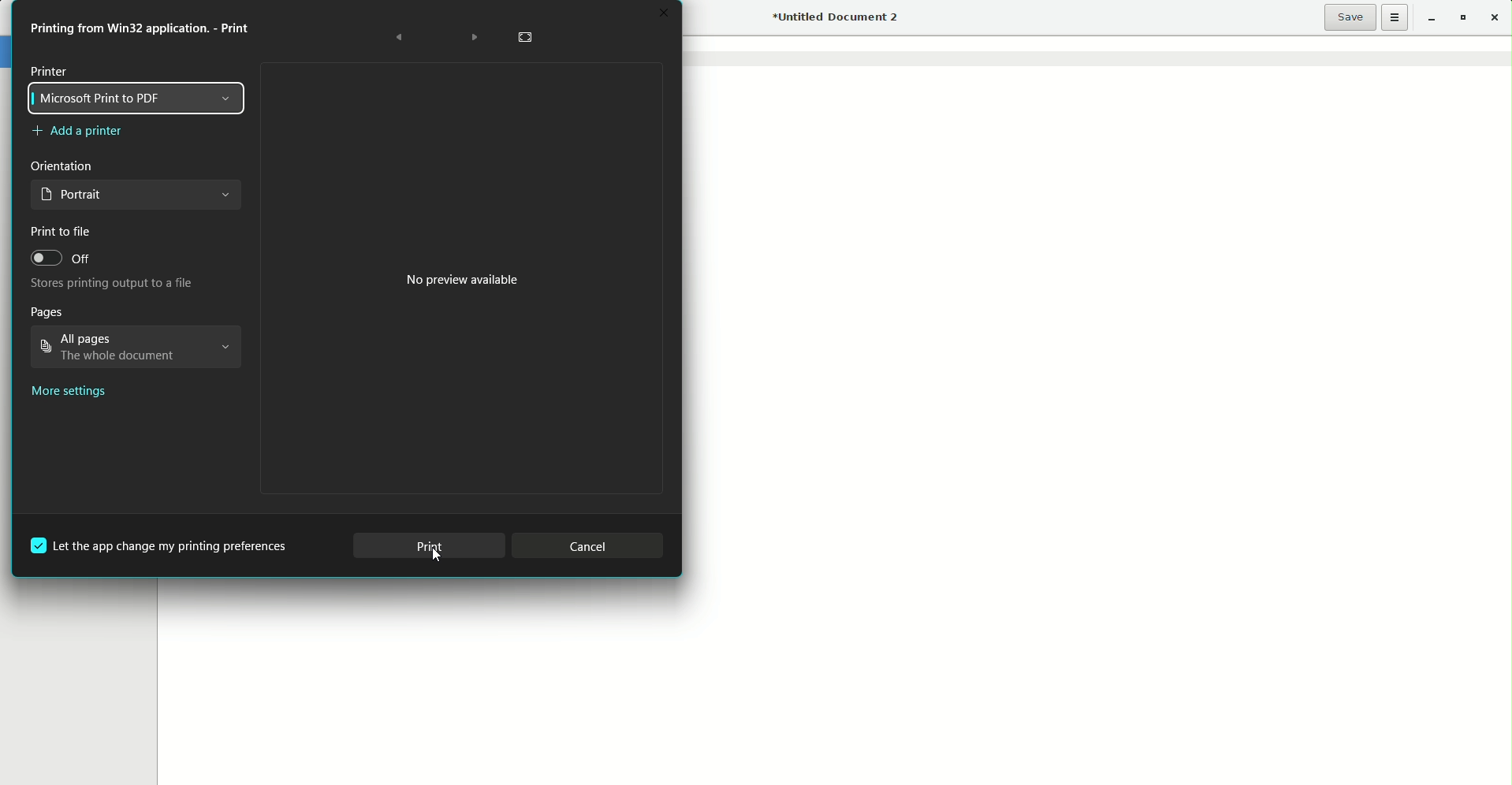 The width and height of the screenshot is (1512, 785). I want to click on Zoom, so click(526, 37).